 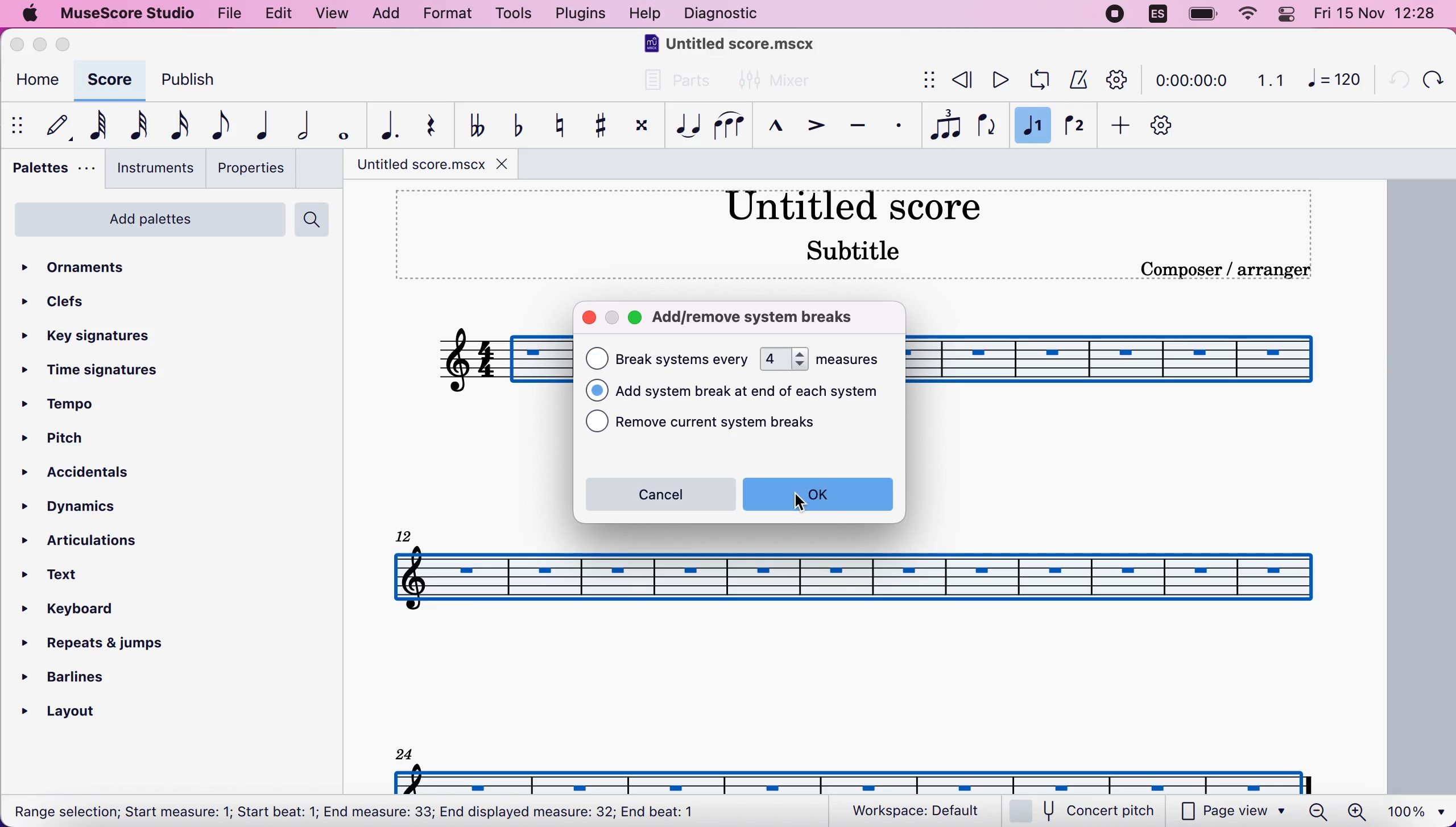 I want to click on checkbox, so click(x=597, y=358).